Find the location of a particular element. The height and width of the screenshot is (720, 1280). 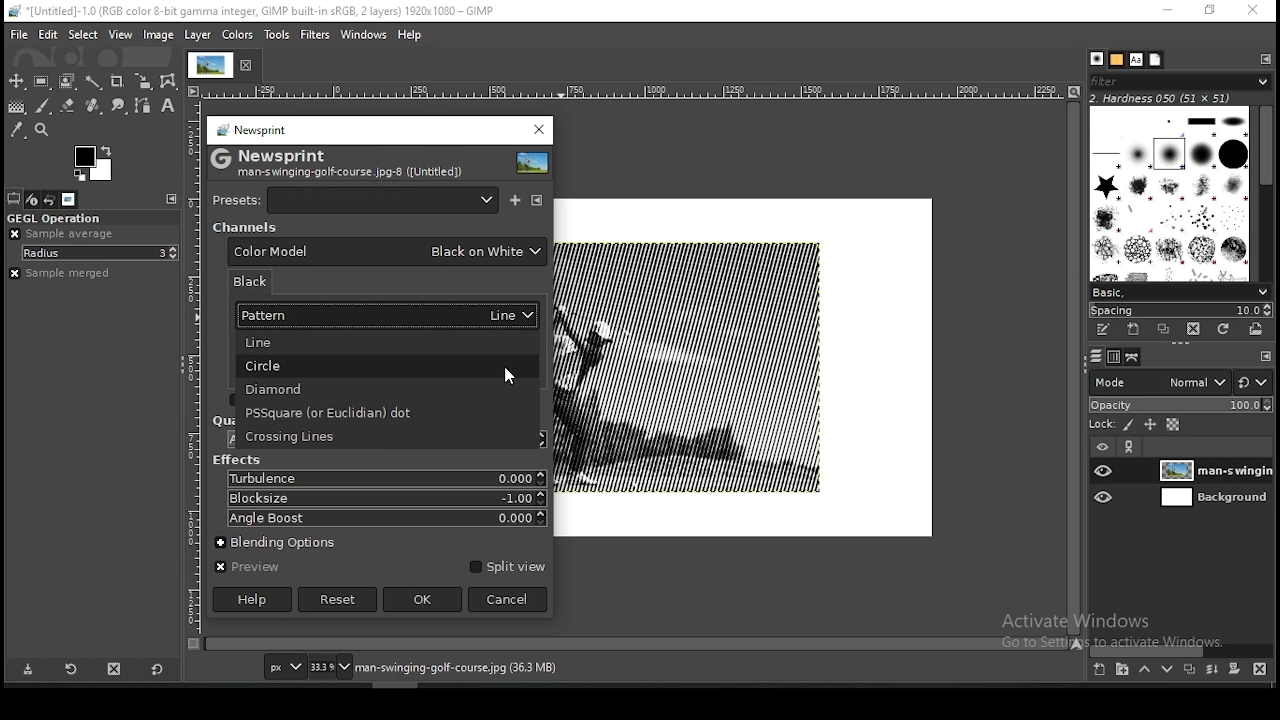

mouse pointer is located at coordinates (512, 374).